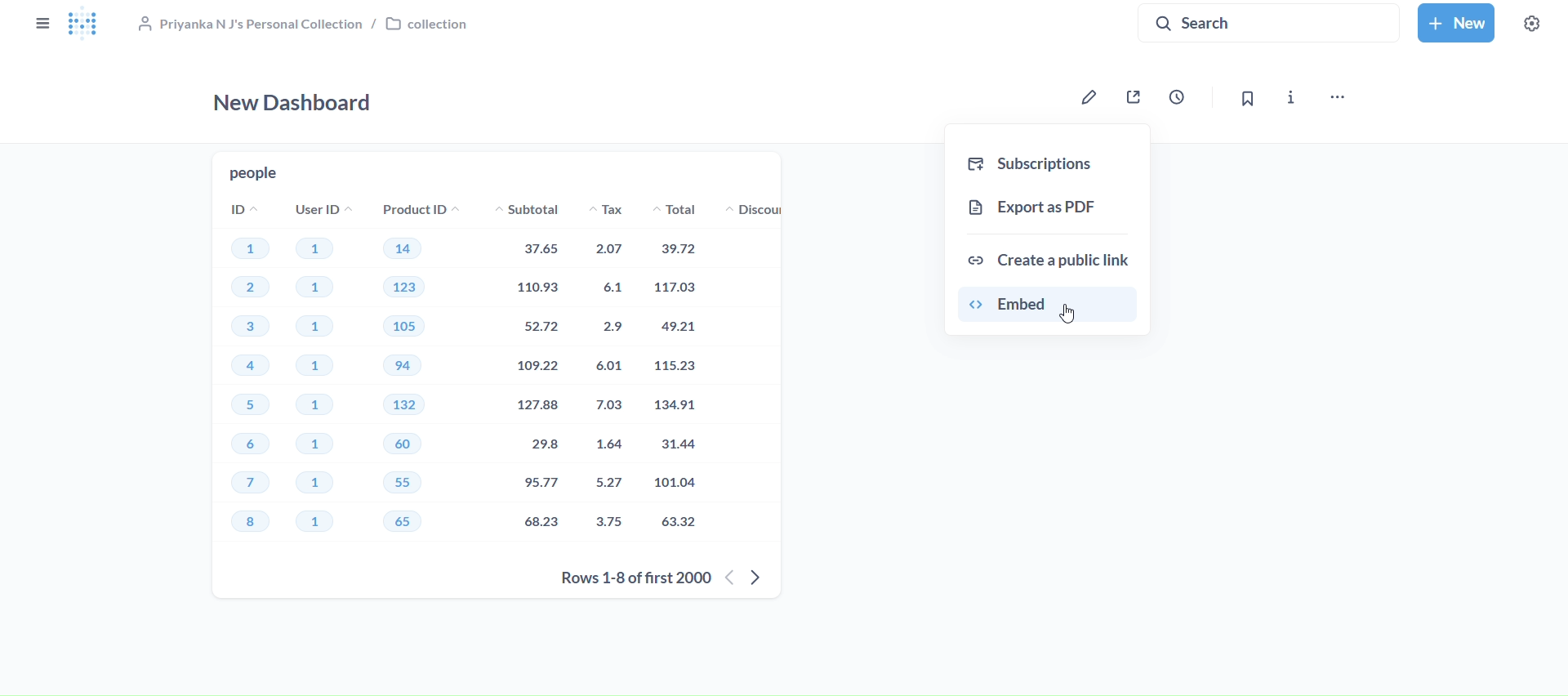 Image resolution: width=1568 pixels, height=696 pixels. I want to click on ID's, so click(246, 373).